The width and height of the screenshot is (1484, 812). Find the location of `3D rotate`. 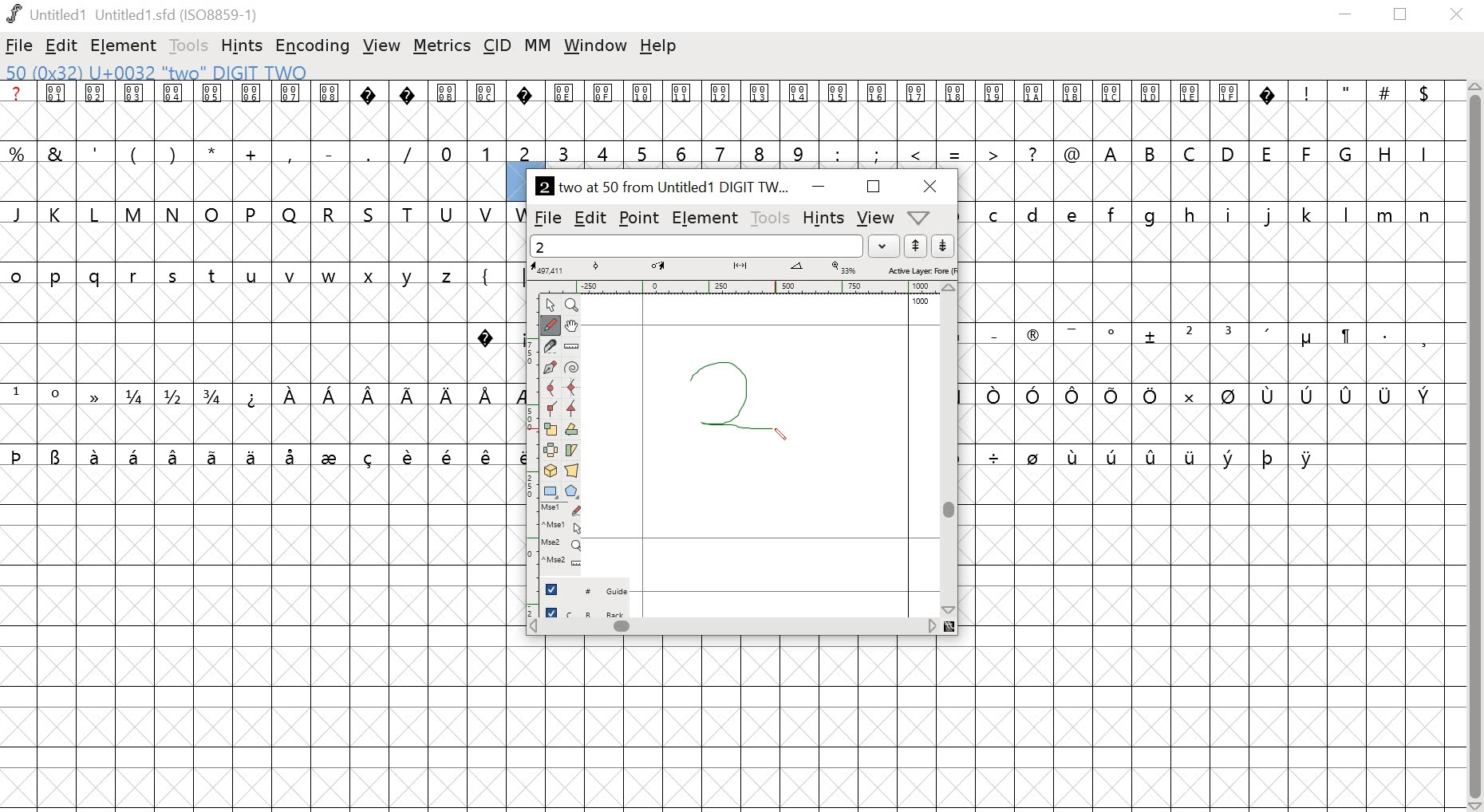

3D rotate is located at coordinates (551, 472).